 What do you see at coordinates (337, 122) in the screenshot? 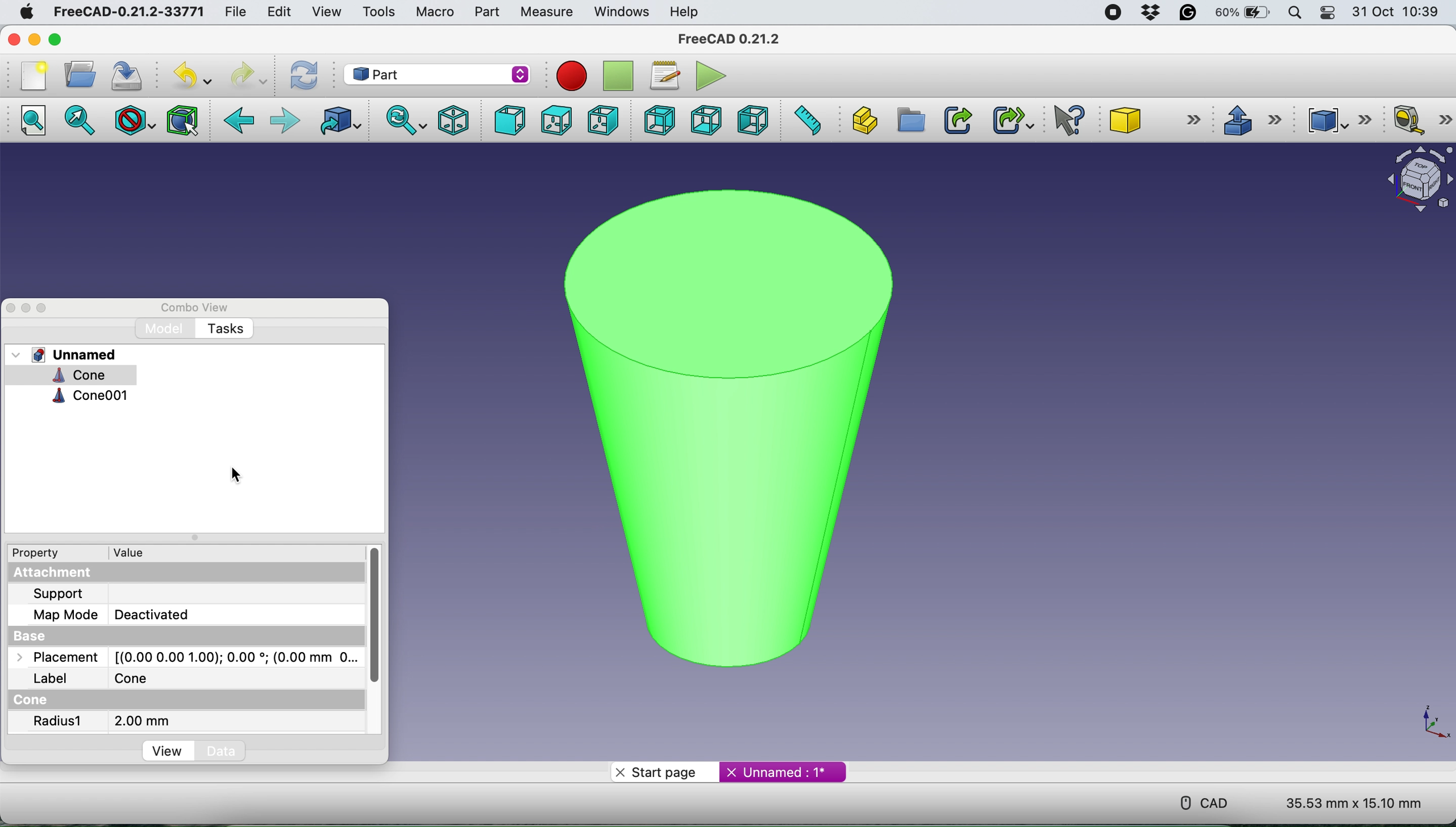
I see `go to linked object` at bounding box center [337, 122].